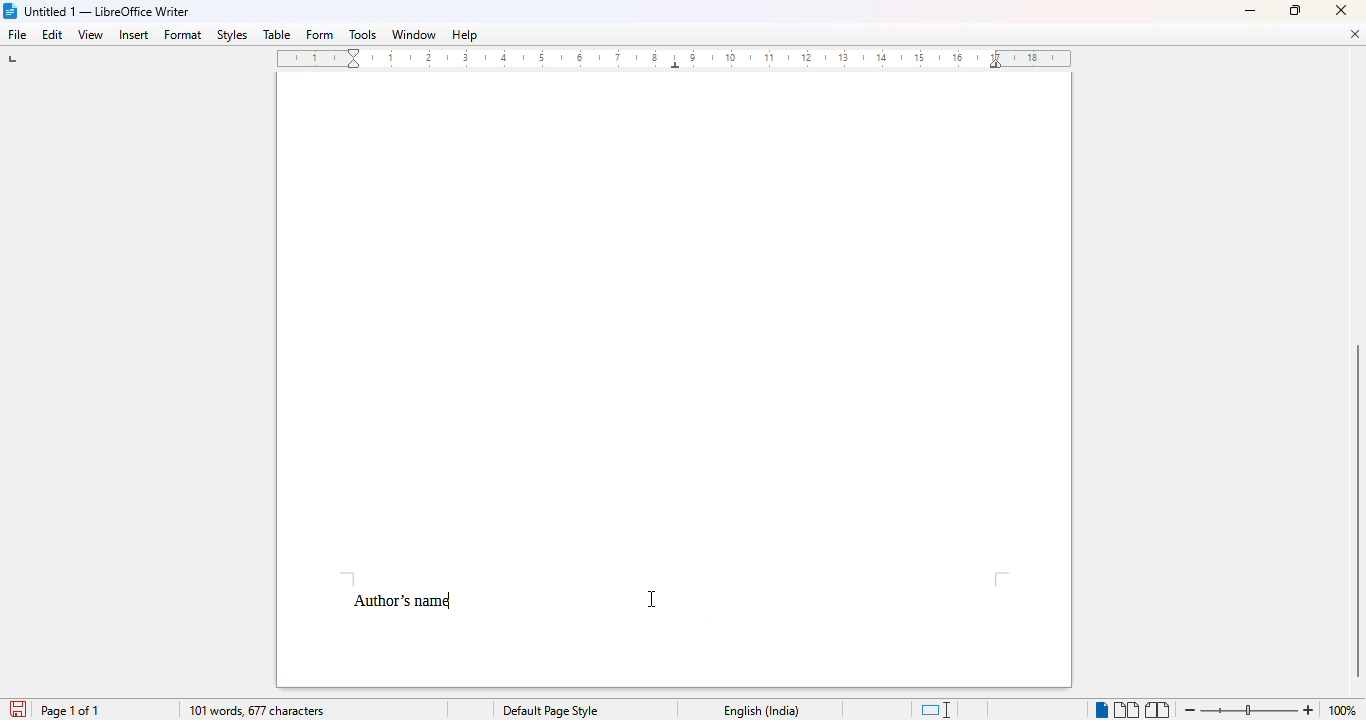 Image resolution: width=1366 pixels, height=720 pixels. What do you see at coordinates (1126, 710) in the screenshot?
I see `multi-page view` at bounding box center [1126, 710].